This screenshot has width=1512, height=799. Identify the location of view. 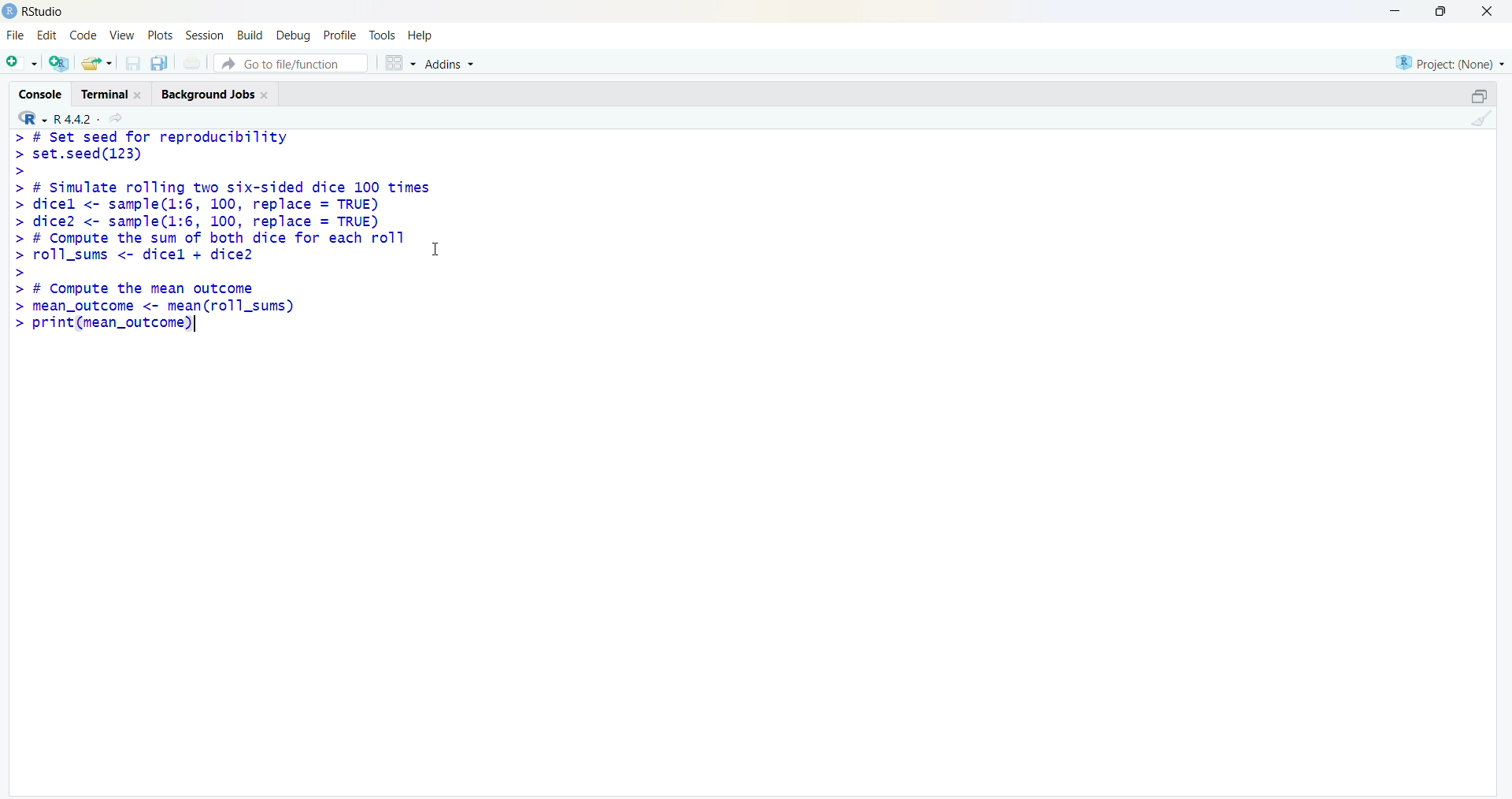
(122, 35).